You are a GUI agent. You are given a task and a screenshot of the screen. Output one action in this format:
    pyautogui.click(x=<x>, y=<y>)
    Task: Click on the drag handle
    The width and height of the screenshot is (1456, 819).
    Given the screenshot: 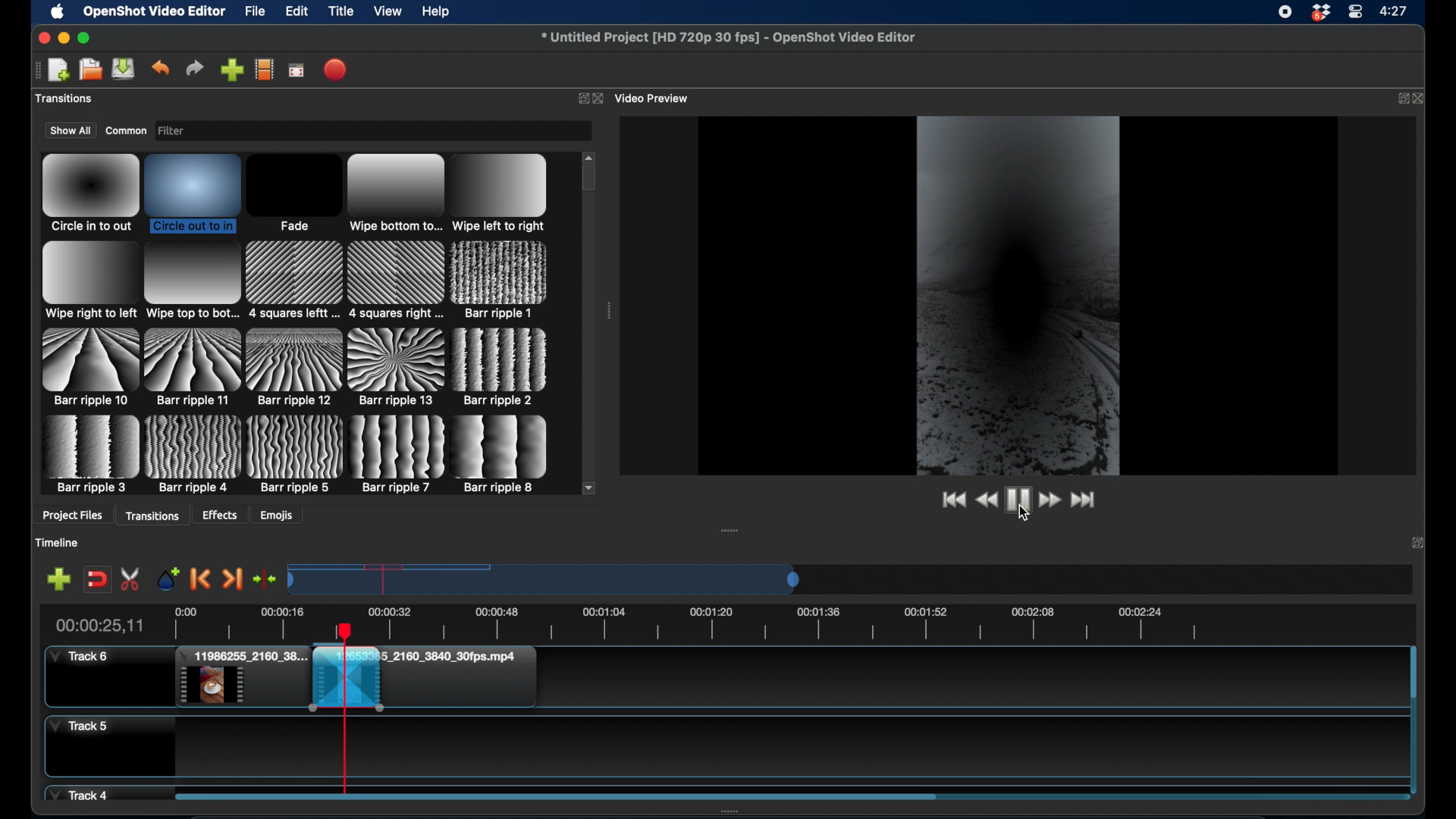 What is the action you would take?
    pyautogui.click(x=731, y=530)
    